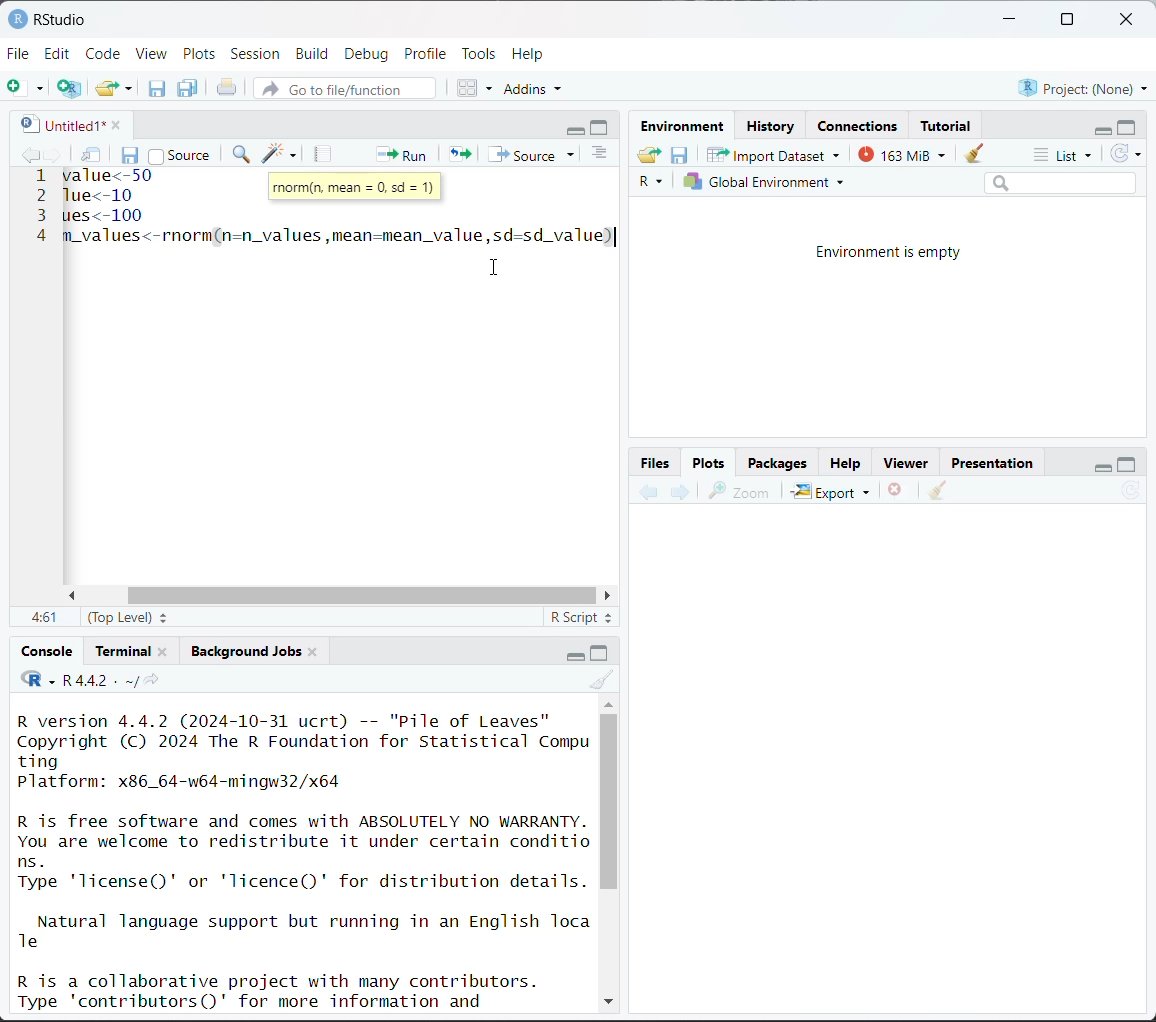 Image resolution: width=1156 pixels, height=1022 pixels. What do you see at coordinates (458, 153) in the screenshot?
I see `re-run` at bounding box center [458, 153].